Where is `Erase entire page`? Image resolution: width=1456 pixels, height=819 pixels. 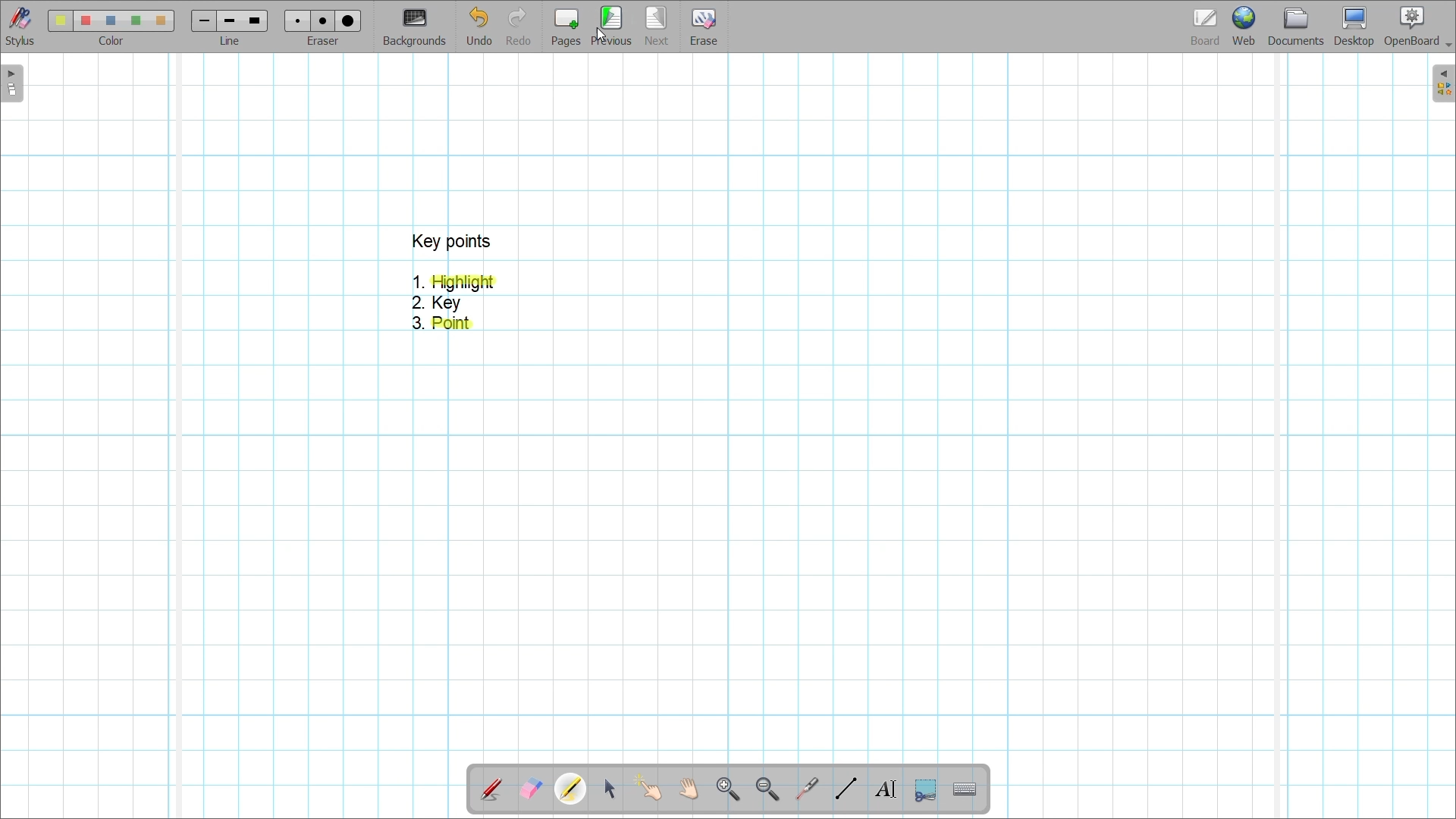
Erase entire page is located at coordinates (703, 27).